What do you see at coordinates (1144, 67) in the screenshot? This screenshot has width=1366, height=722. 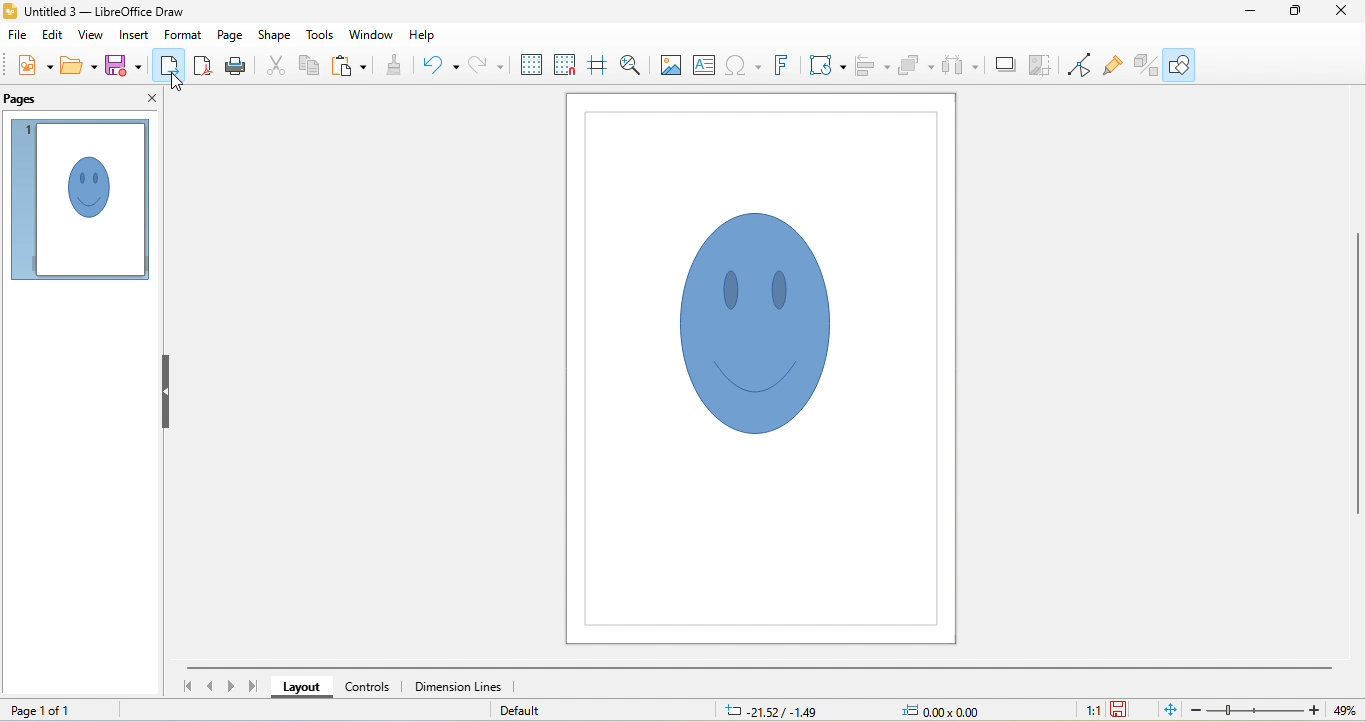 I see `toggle extrusion` at bounding box center [1144, 67].